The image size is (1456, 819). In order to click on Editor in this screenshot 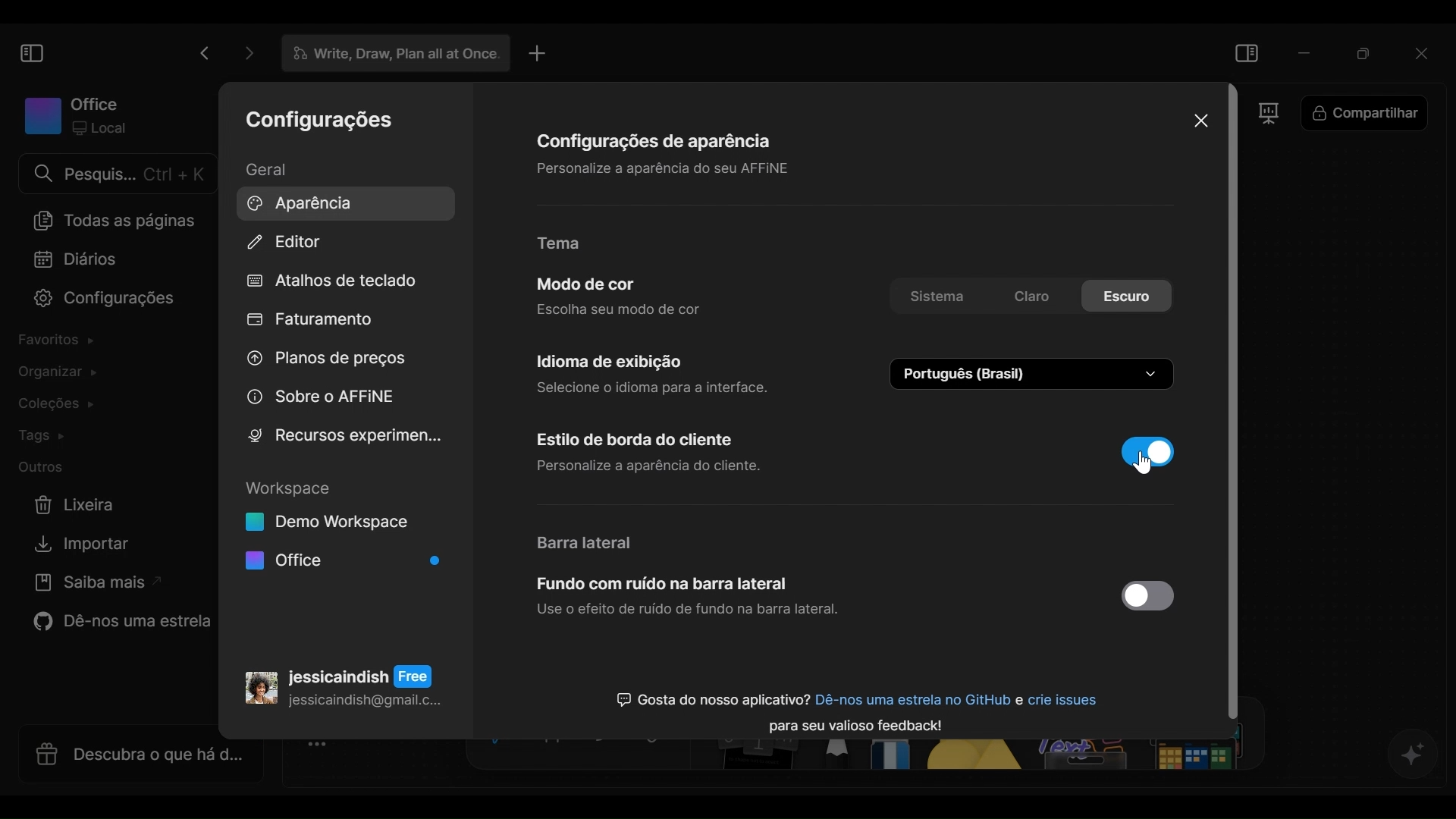, I will do `click(286, 243)`.